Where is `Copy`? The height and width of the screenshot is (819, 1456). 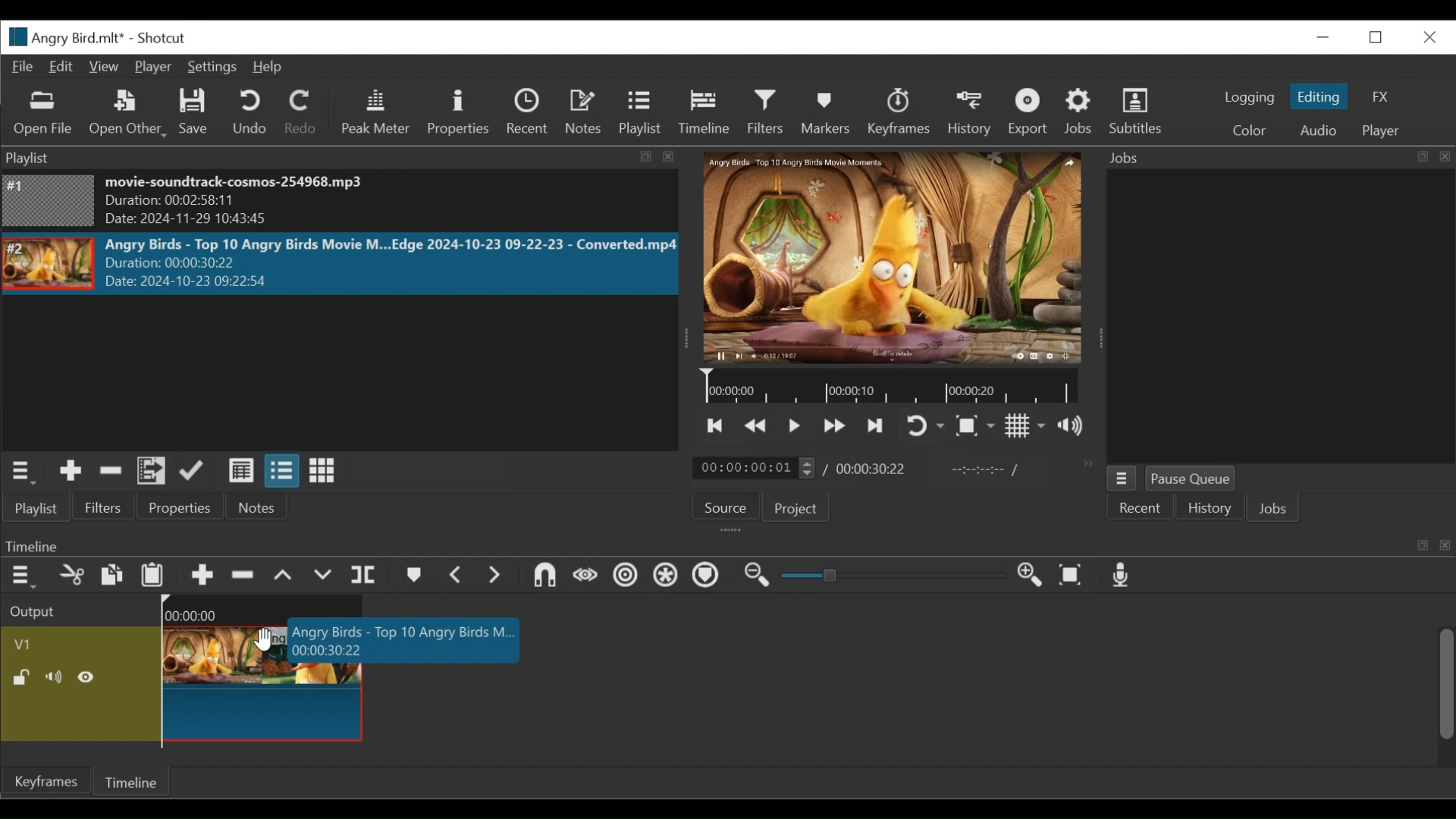 Copy is located at coordinates (115, 576).